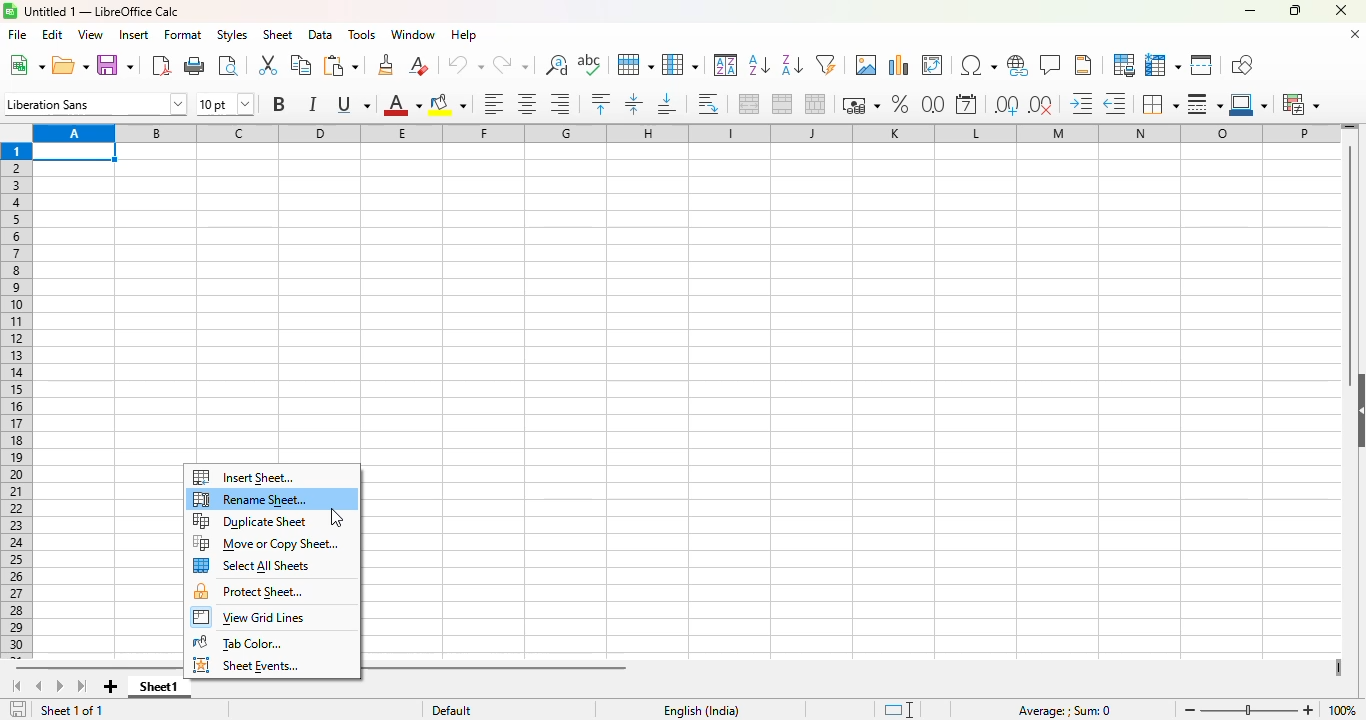 The width and height of the screenshot is (1366, 720). I want to click on decrease indent, so click(1114, 103).